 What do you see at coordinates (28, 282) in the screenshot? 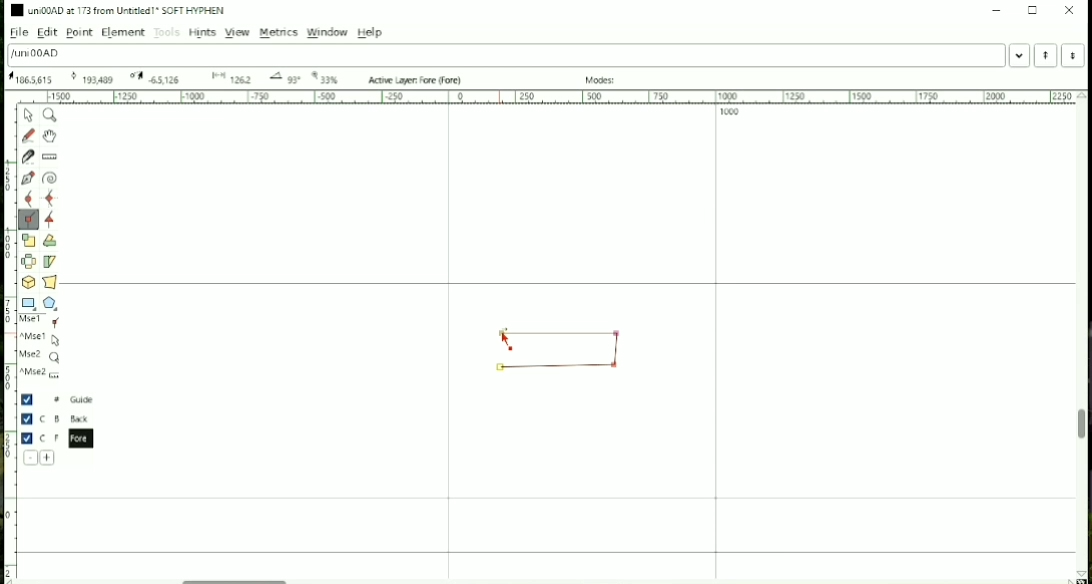
I see `Rotate the selection in 3D and project back to plane` at bounding box center [28, 282].